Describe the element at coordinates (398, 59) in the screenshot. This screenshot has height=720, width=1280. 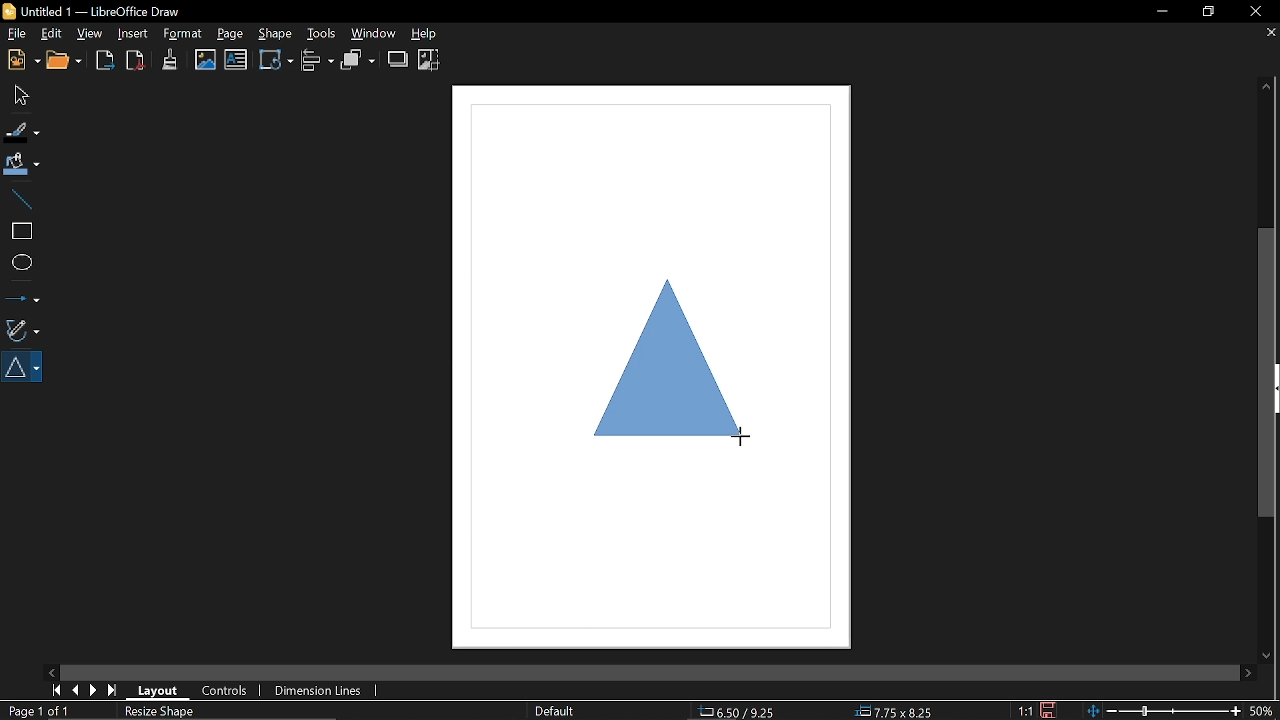
I see `Shadow` at that location.